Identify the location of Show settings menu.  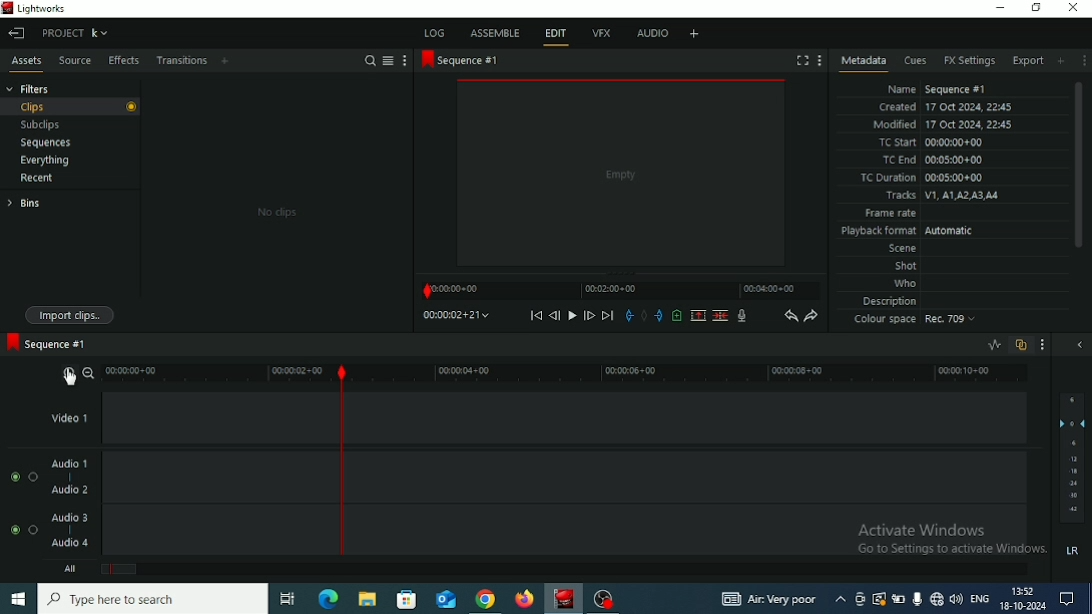
(1083, 61).